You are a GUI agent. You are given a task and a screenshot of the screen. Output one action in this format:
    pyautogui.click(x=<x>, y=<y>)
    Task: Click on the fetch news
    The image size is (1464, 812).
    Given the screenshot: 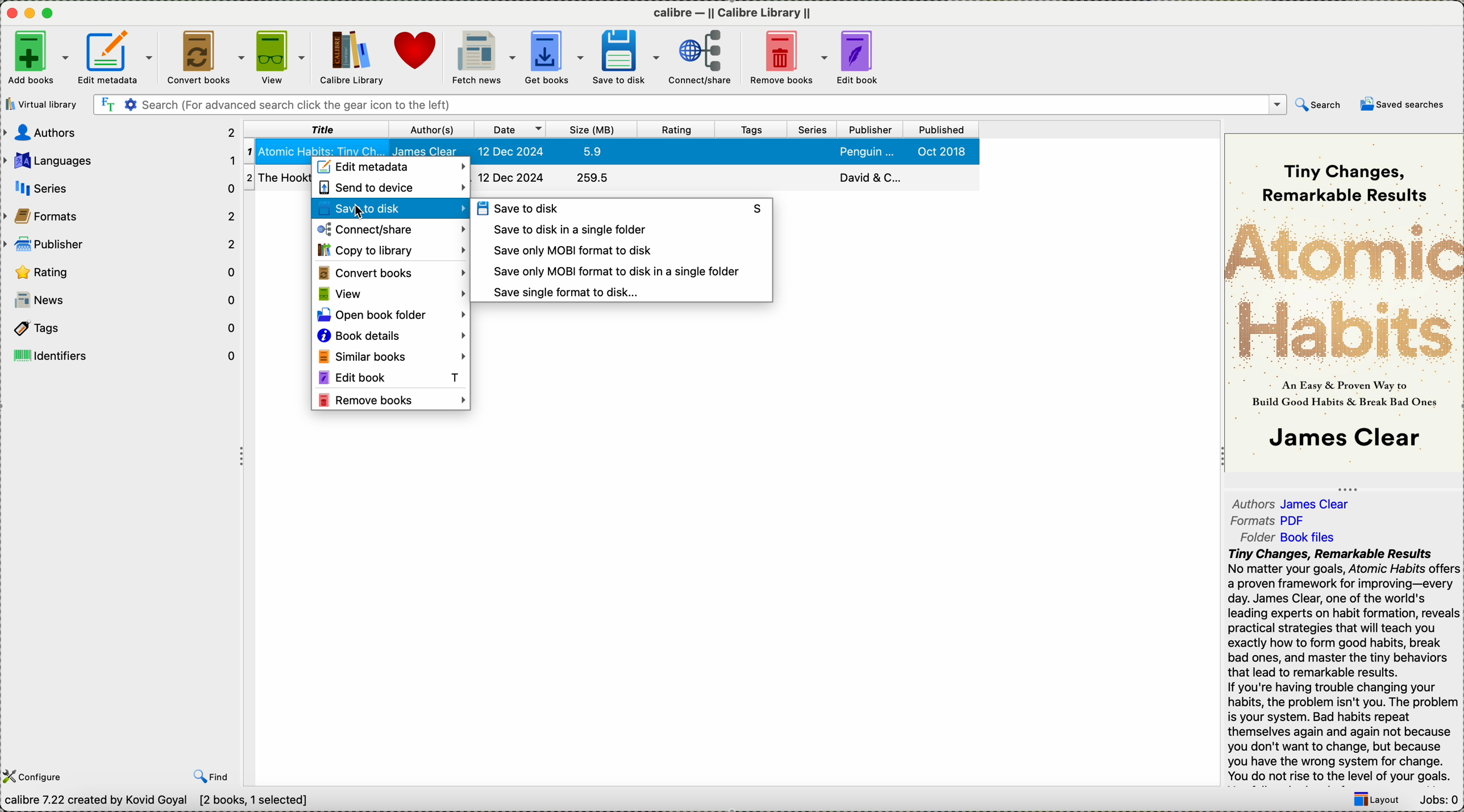 What is the action you would take?
    pyautogui.click(x=483, y=58)
    